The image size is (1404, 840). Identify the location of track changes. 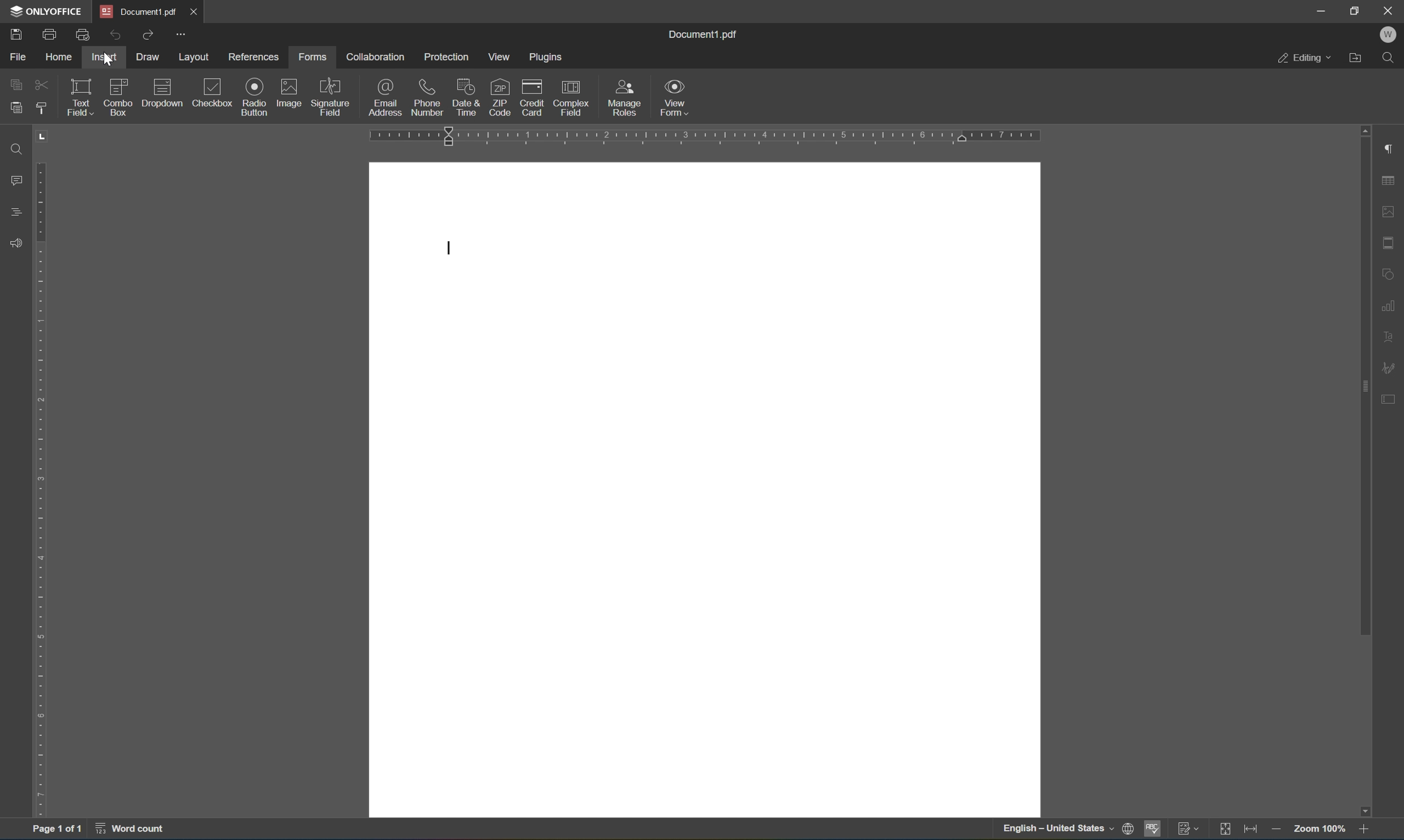
(1189, 830).